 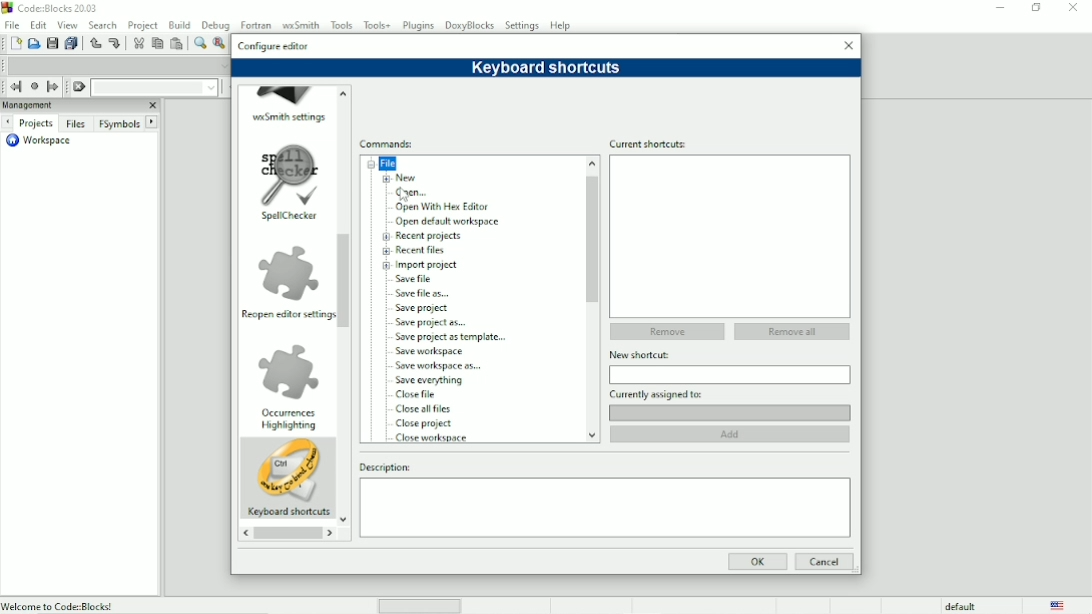 What do you see at coordinates (176, 43) in the screenshot?
I see `Paste` at bounding box center [176, 43].